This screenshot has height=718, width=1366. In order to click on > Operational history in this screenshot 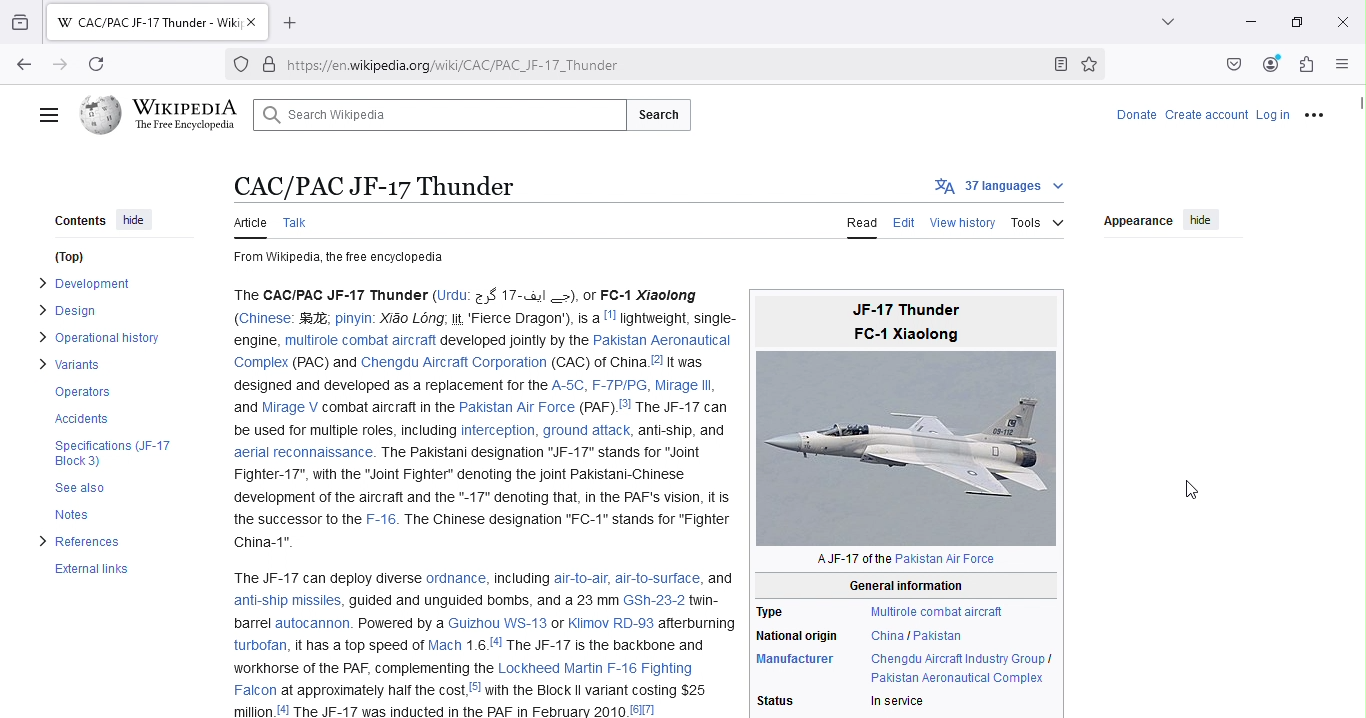, I will do `click(92, 336)`.